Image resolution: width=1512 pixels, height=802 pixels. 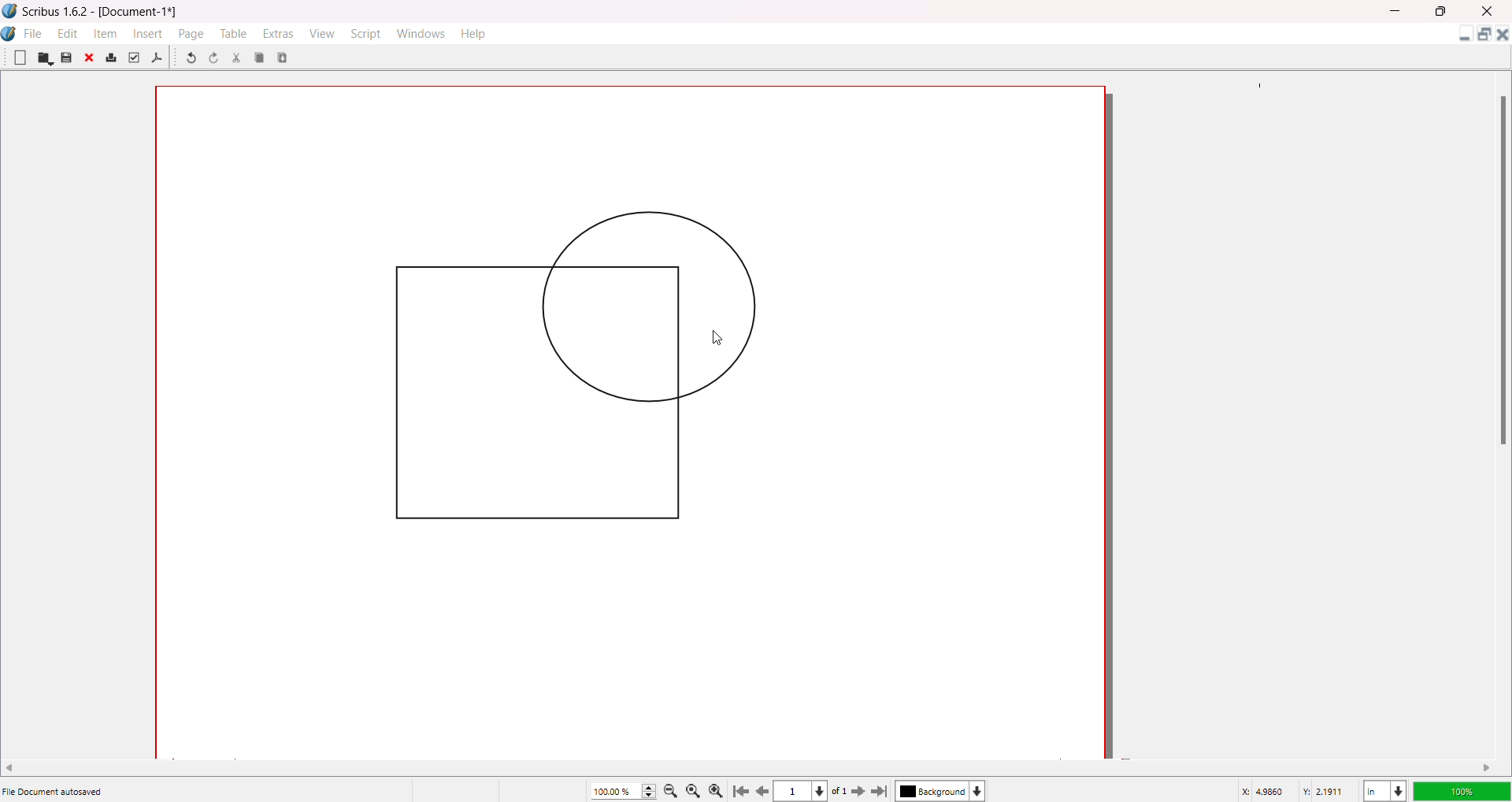 What do you see at coordinates (1503, 37) in the screenshot?
I see `Close Document` at bounding box center [1503, 37].